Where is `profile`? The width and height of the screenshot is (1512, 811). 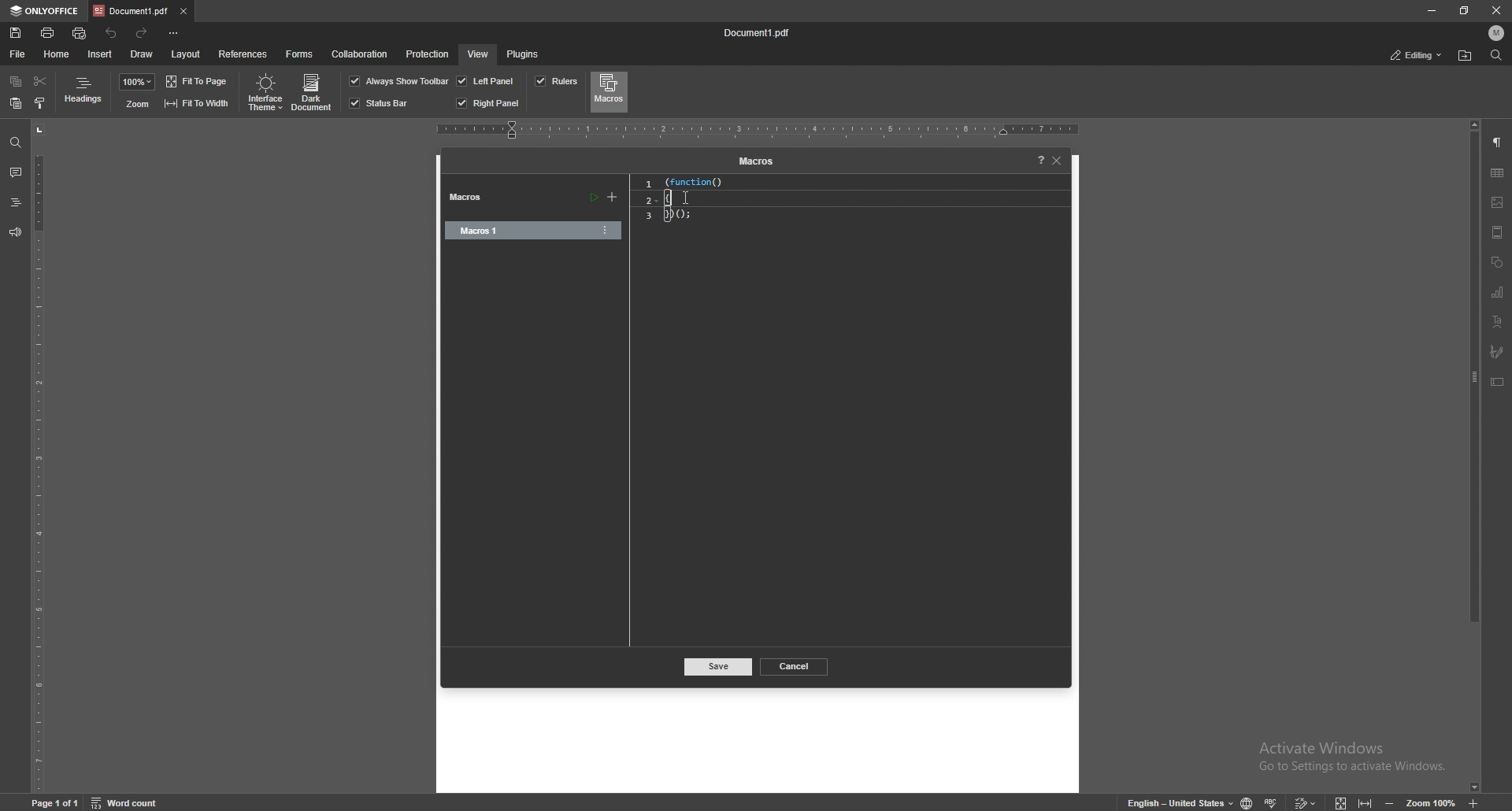
profile is located at coordinates (1497, 33).